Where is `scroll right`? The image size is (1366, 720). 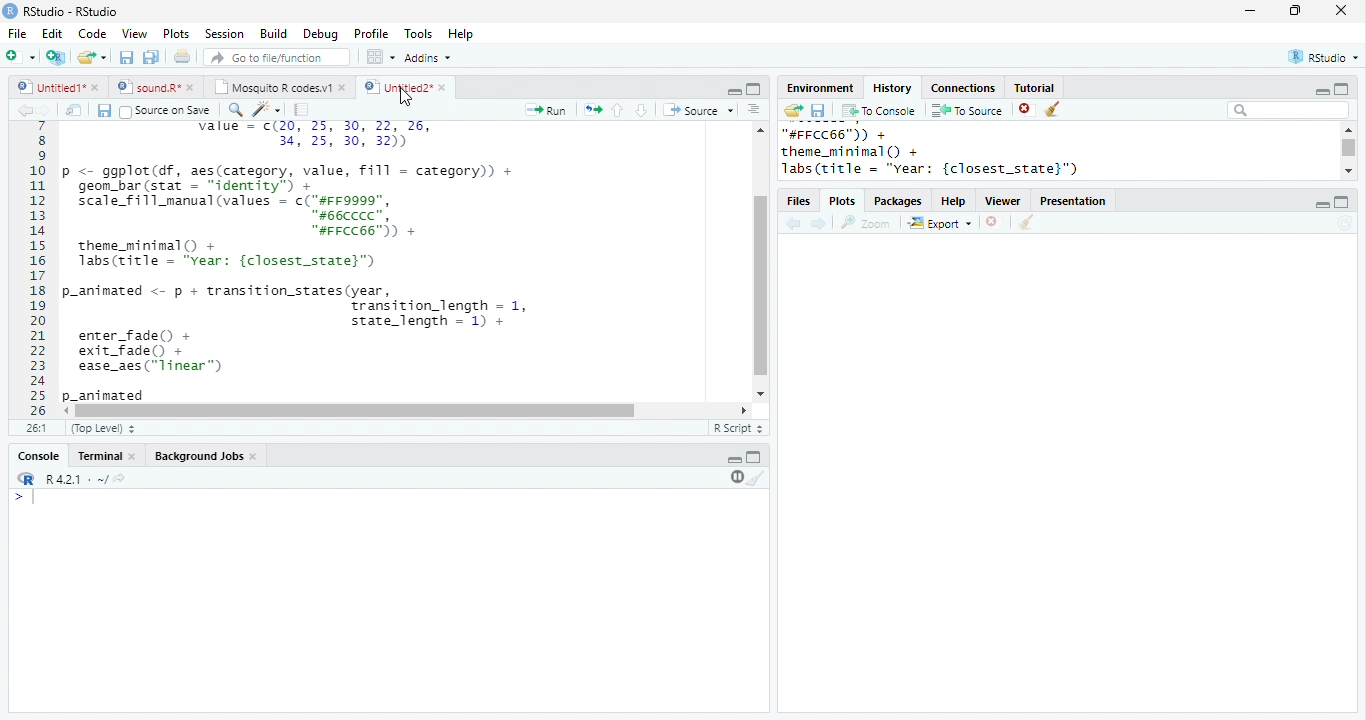 scroll right is located at coordinates (68, 411).